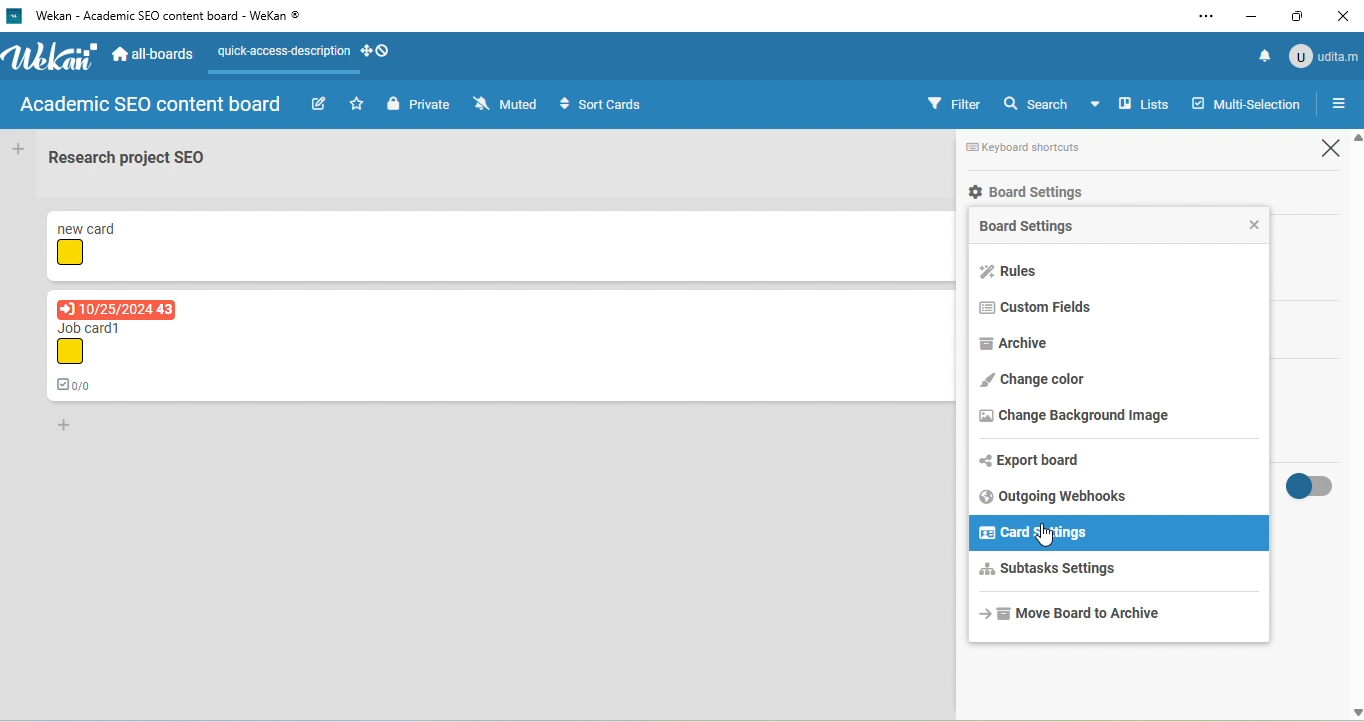 Image resolution: width=1364 pixels, height=722 pixels. I want to click on toggle on/off, so click(1310, 489).